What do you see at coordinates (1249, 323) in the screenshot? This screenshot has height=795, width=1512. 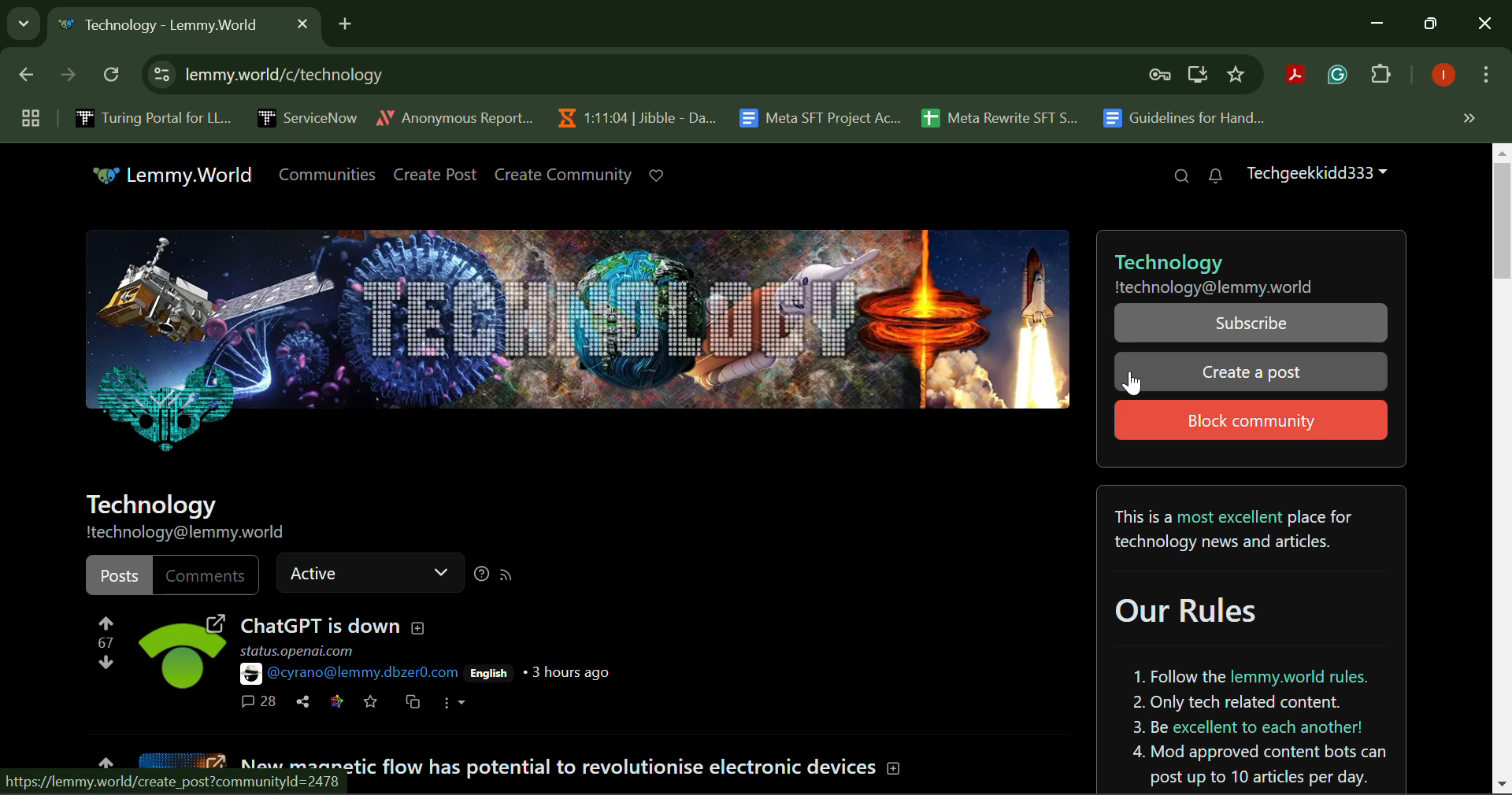 I see `Subscribe` at bounding box center [1249, 323].